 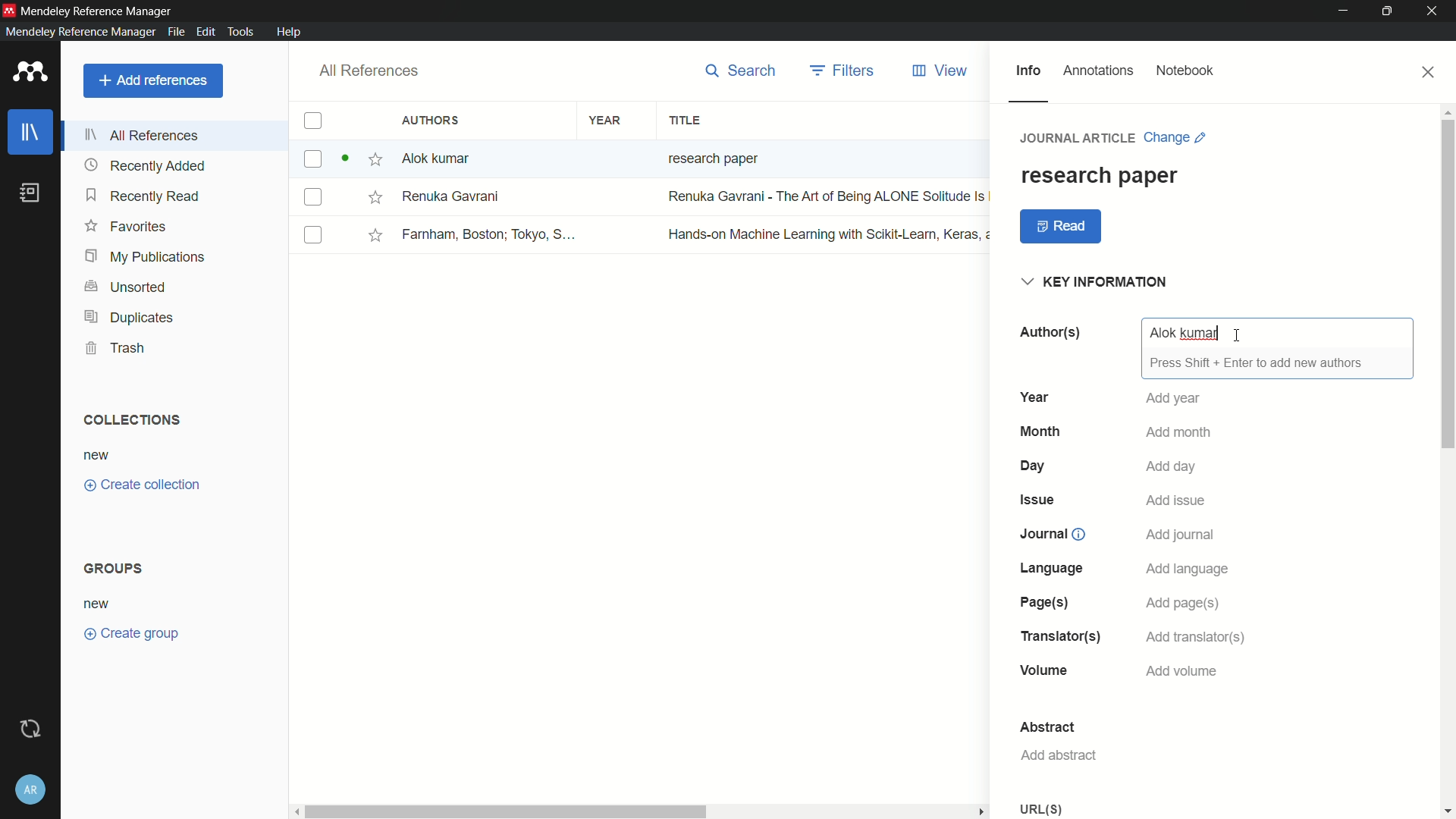 What do you see at coordinates (642, 811) in the screenshot?
I see `horizontal scrollbar` at bounding box center [642, 811].